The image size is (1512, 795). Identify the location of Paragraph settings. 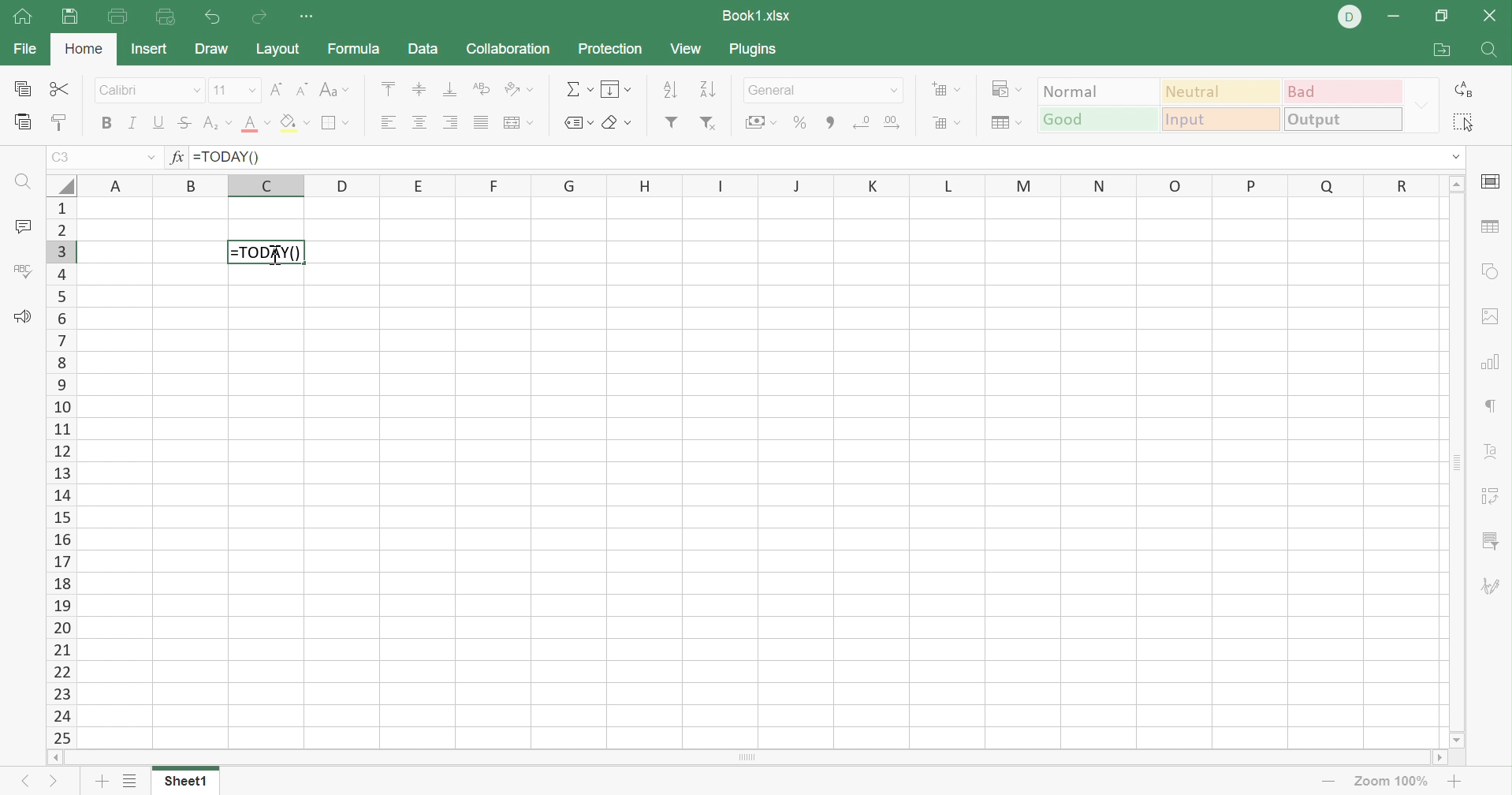
(1488, 405).